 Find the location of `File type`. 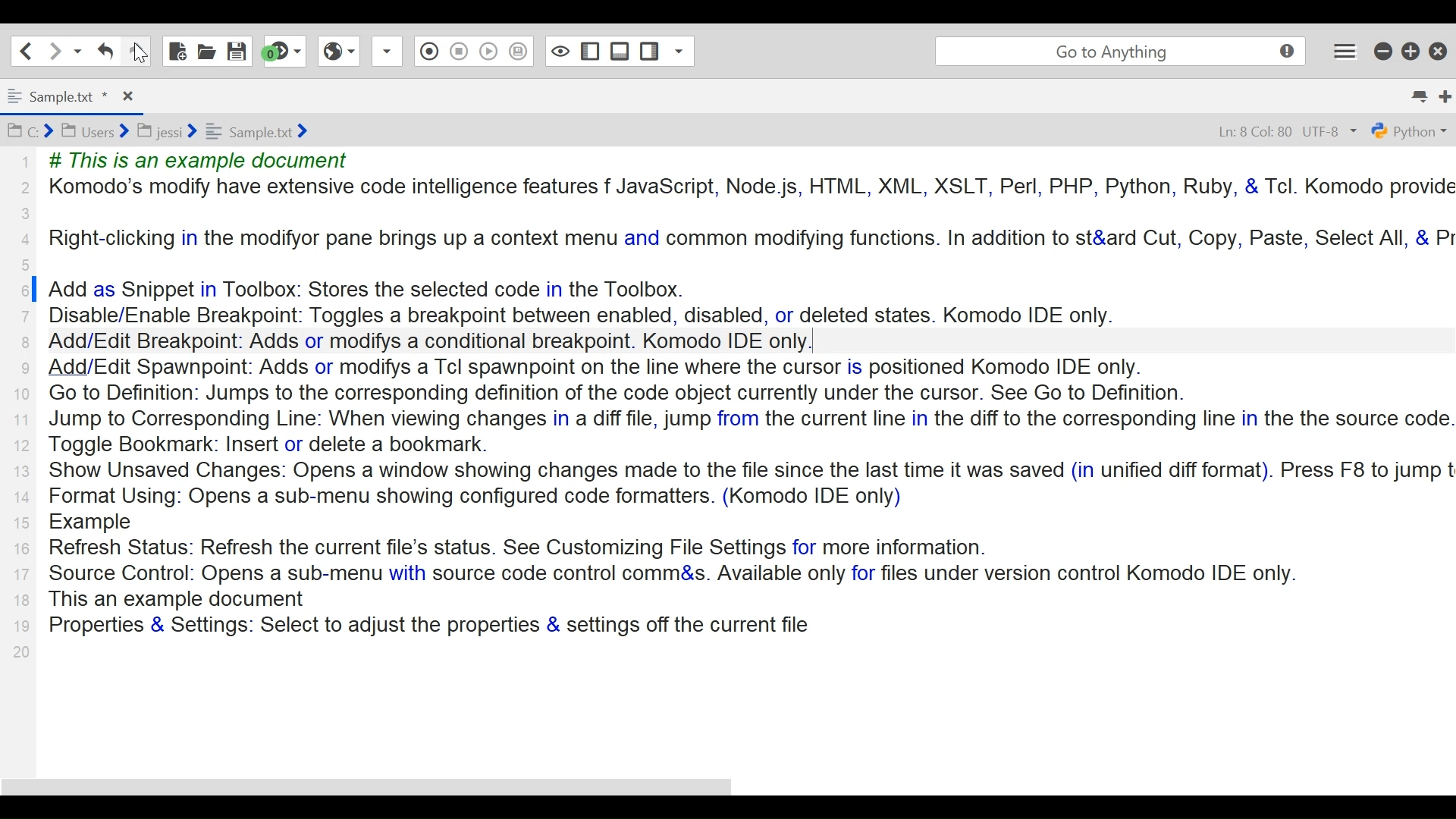

File type is located at coordinates (1411, 130).